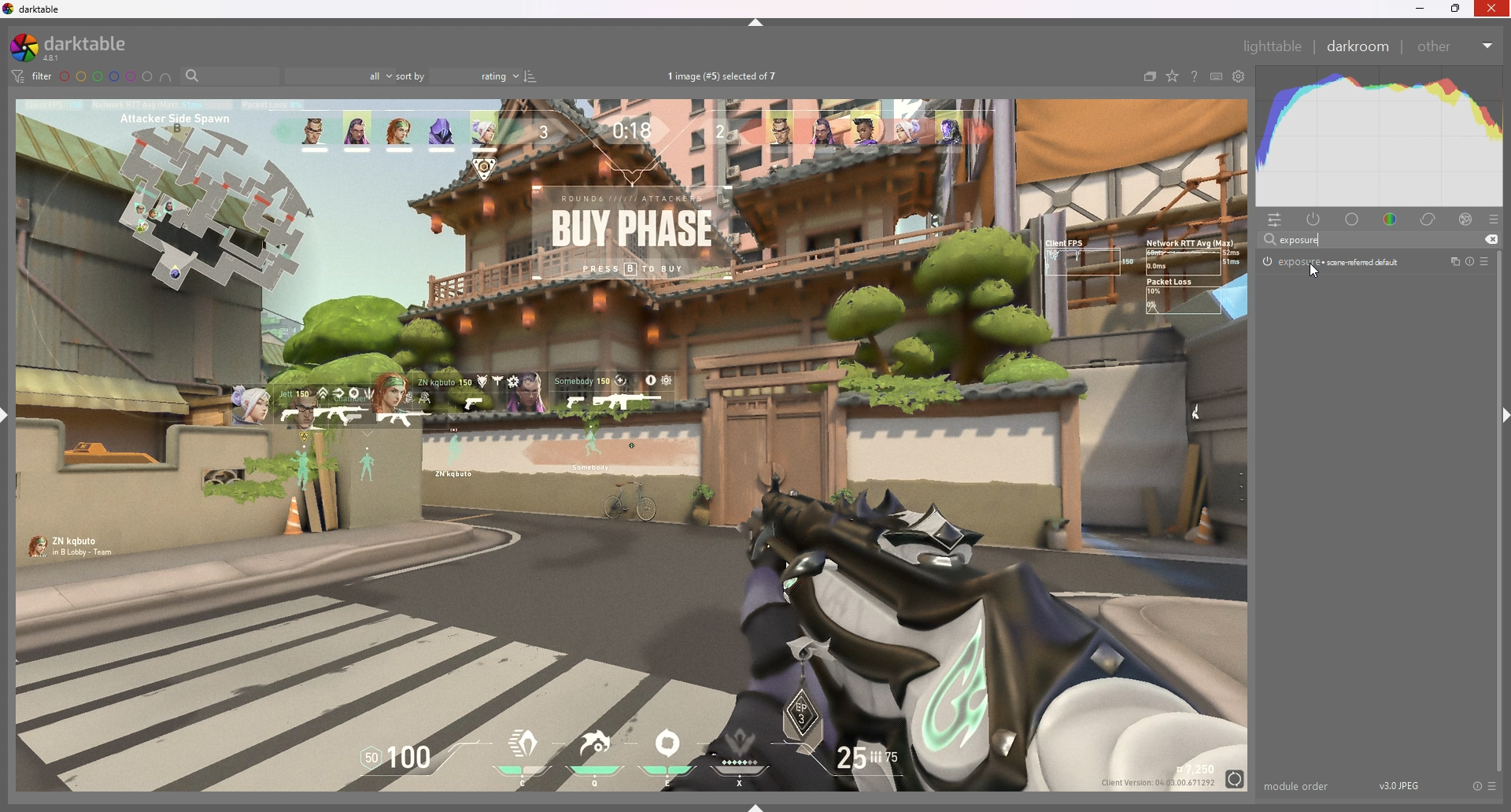 The height and width of the screenshot is (812, 1511). I want to click on images selected, so click(724, 77).